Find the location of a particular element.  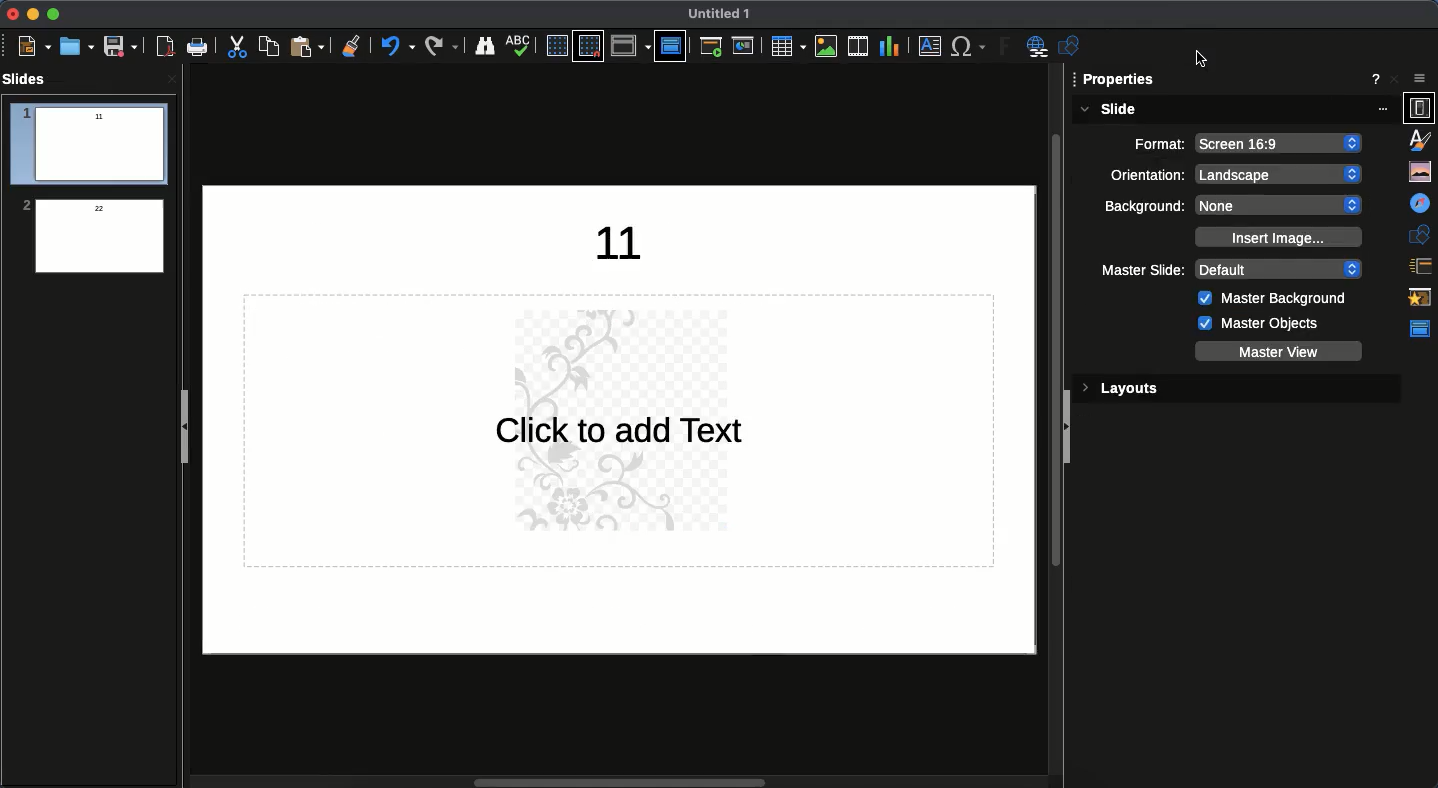

Navigator is located at coordinates (1422, 204).